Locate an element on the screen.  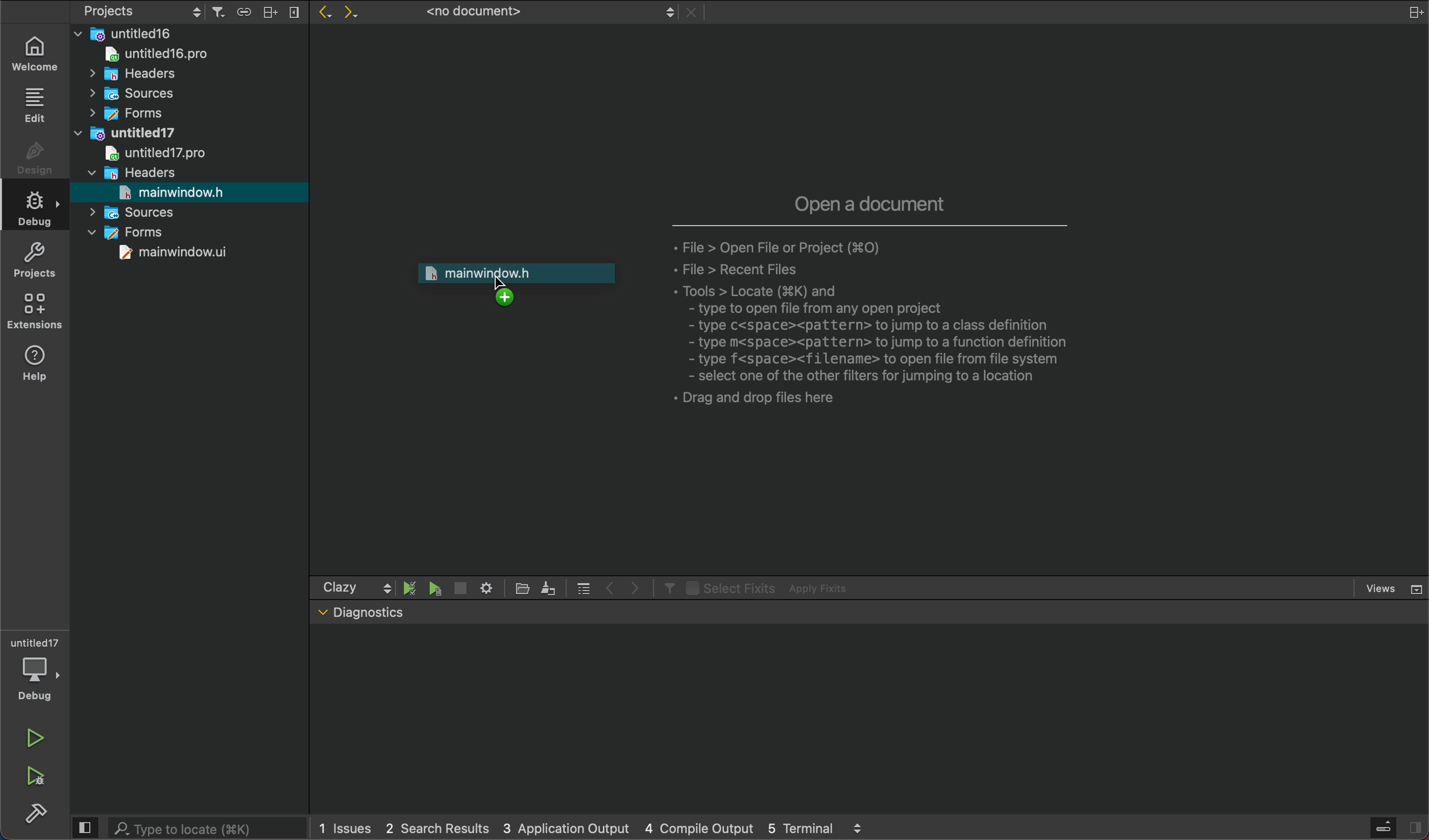
4 Compile Output is located at coordinates (699, 827).